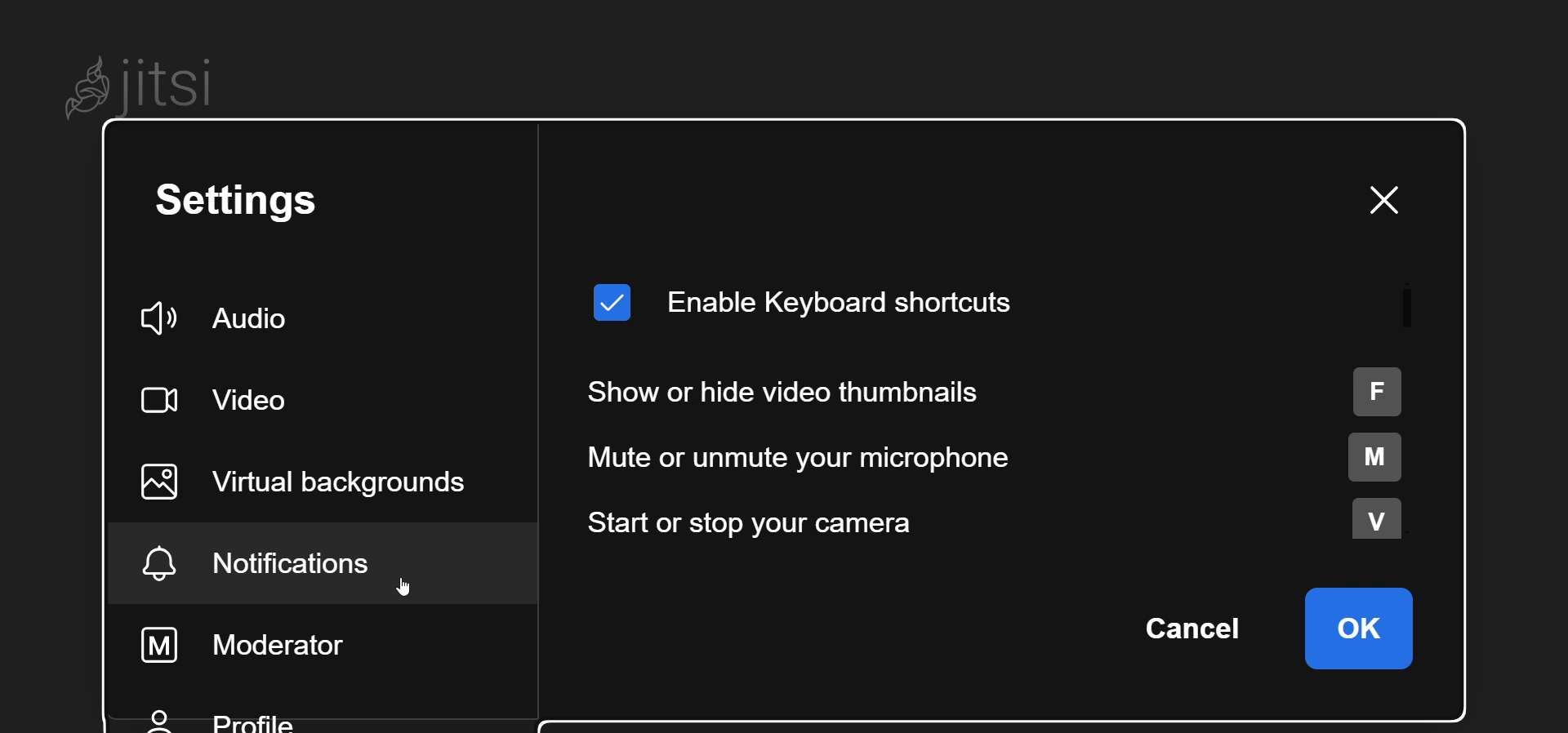  What do you see at coordinates (1005, 521) in the screenshot?
I see `start or stop camera` at bounding box center [1005, 521].